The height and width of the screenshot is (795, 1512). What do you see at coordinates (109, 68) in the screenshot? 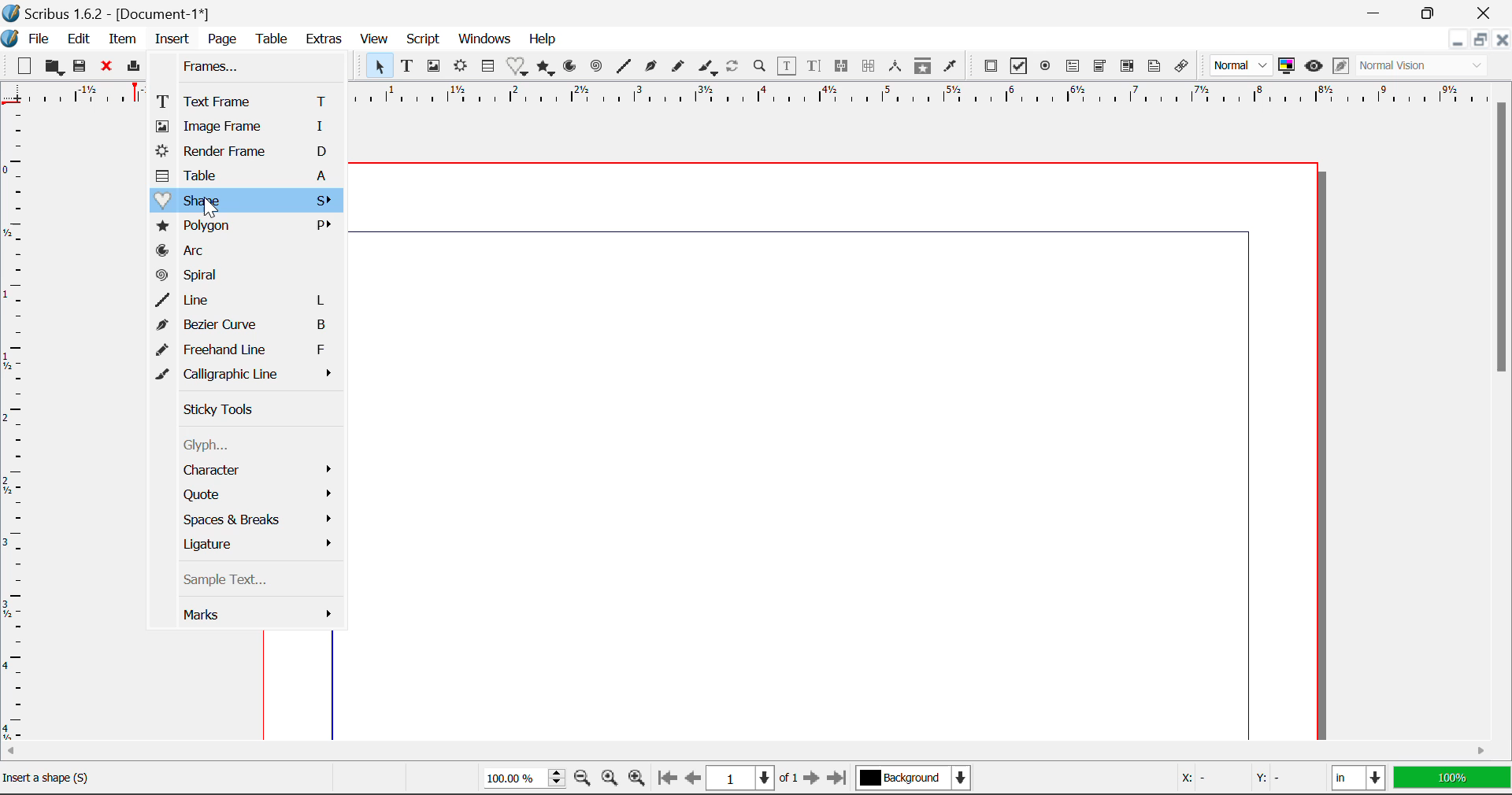
I see `Close` at bounding box center [109, 68].